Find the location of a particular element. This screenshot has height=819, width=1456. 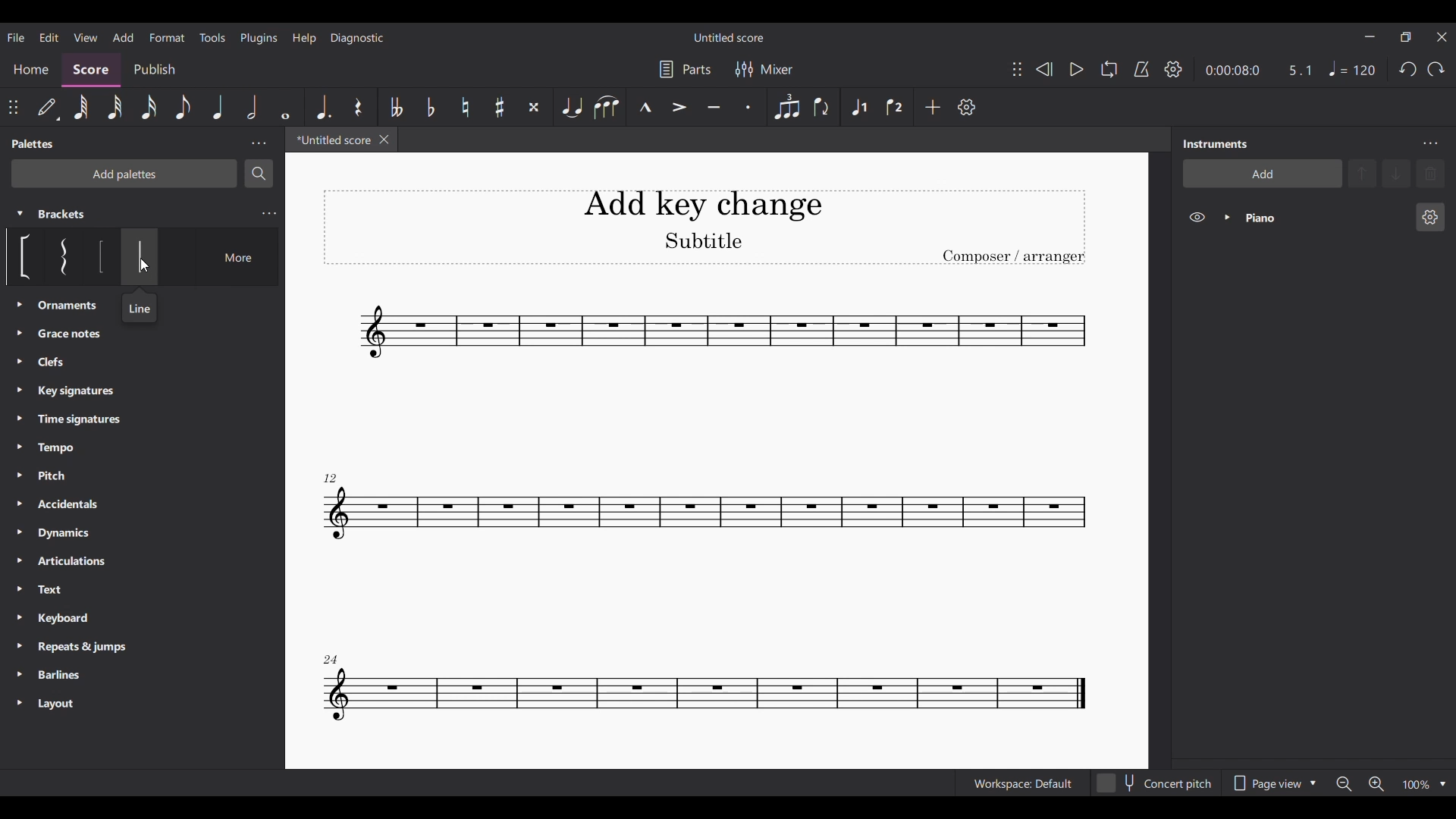

Edit menu is located at coordinates (49, 38).